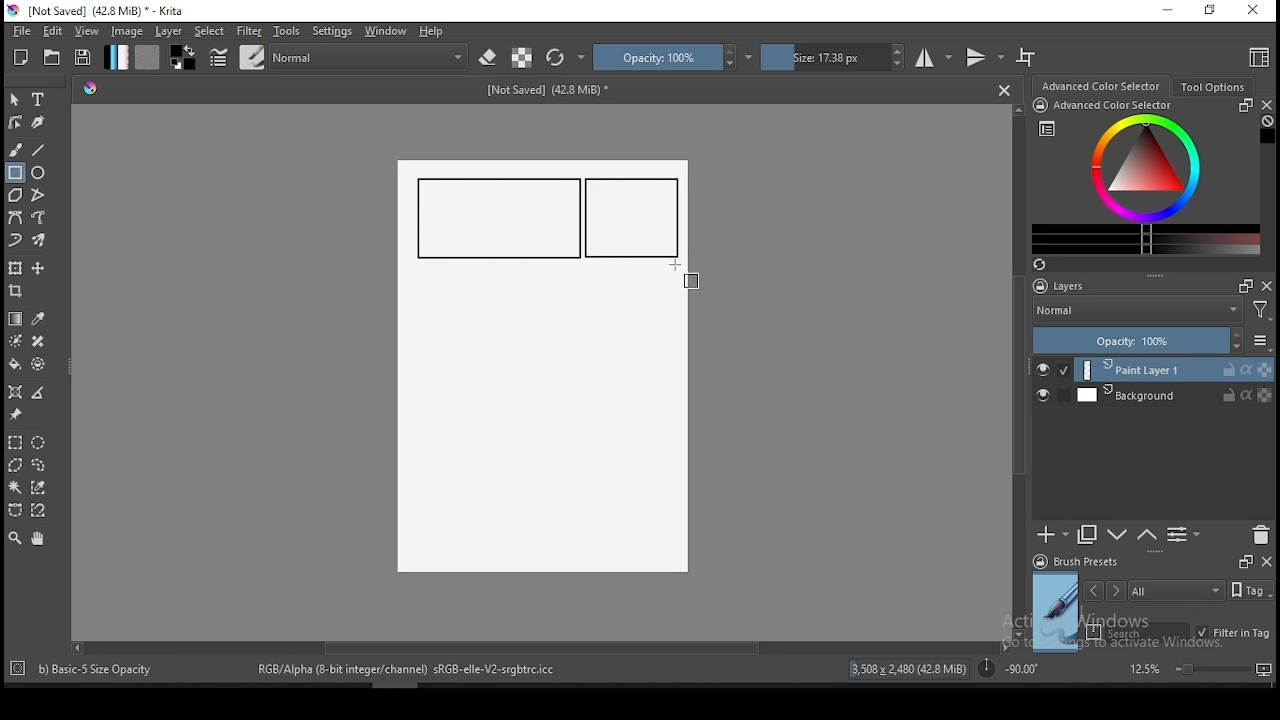  Describe the element at coordinates (1142, 176) in the screenshot. I see `advanced color selector` at that location.